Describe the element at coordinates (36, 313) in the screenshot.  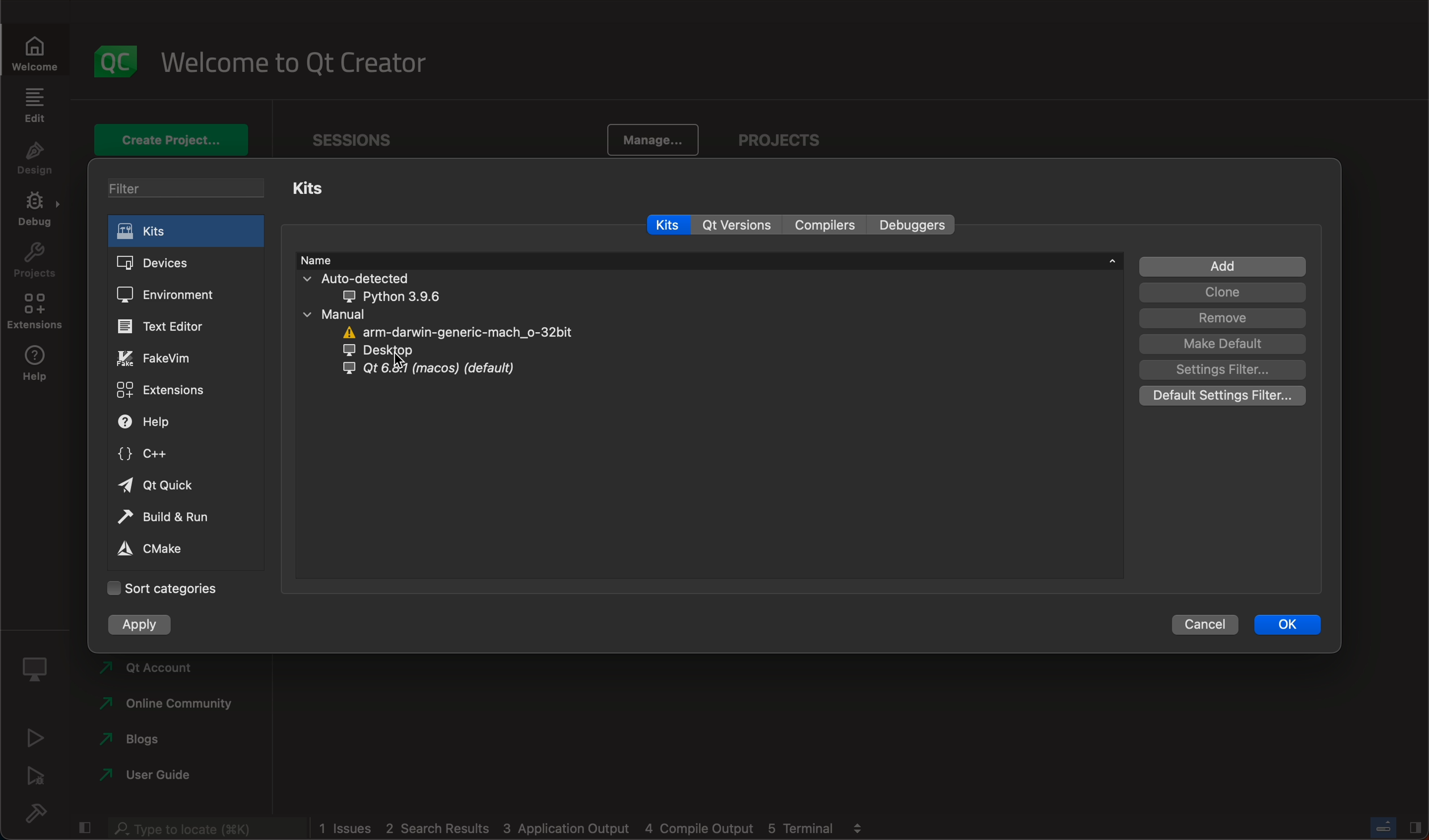
I see `extensions` at that location.